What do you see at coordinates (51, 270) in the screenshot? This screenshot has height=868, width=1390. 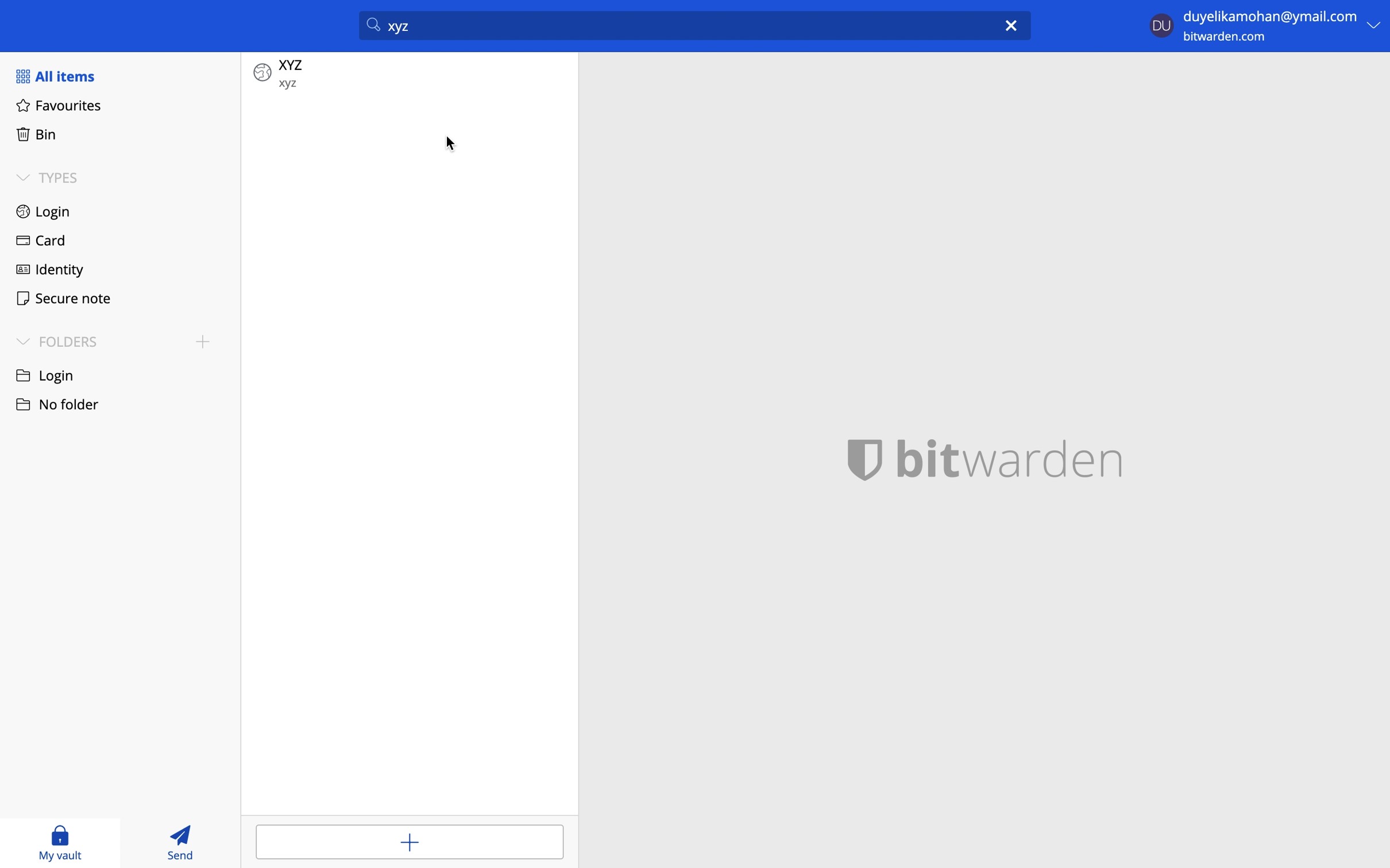 I see `identity` at bounding box center [51, 270].